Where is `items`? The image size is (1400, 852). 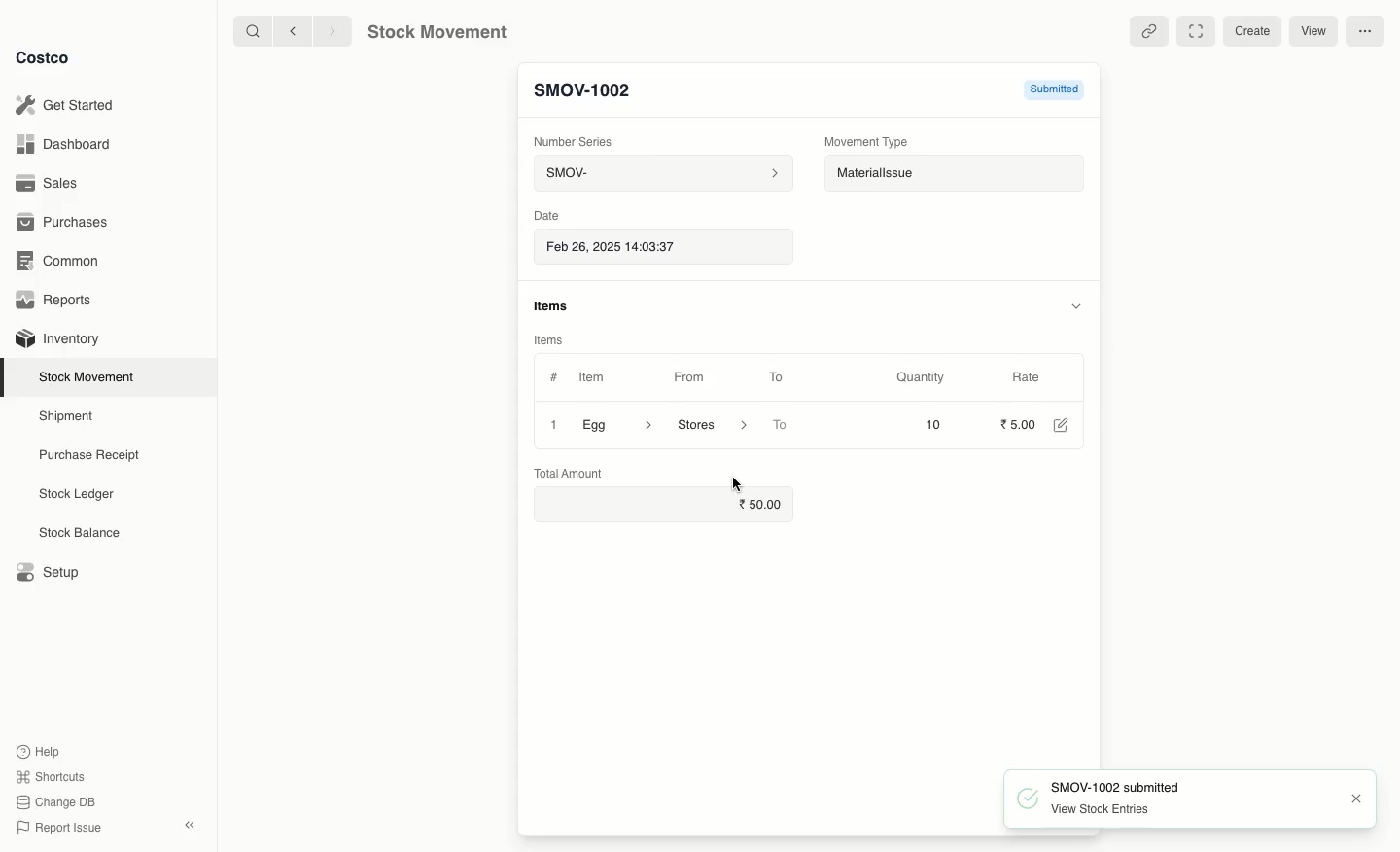
items is located at coordinates (553, 306).